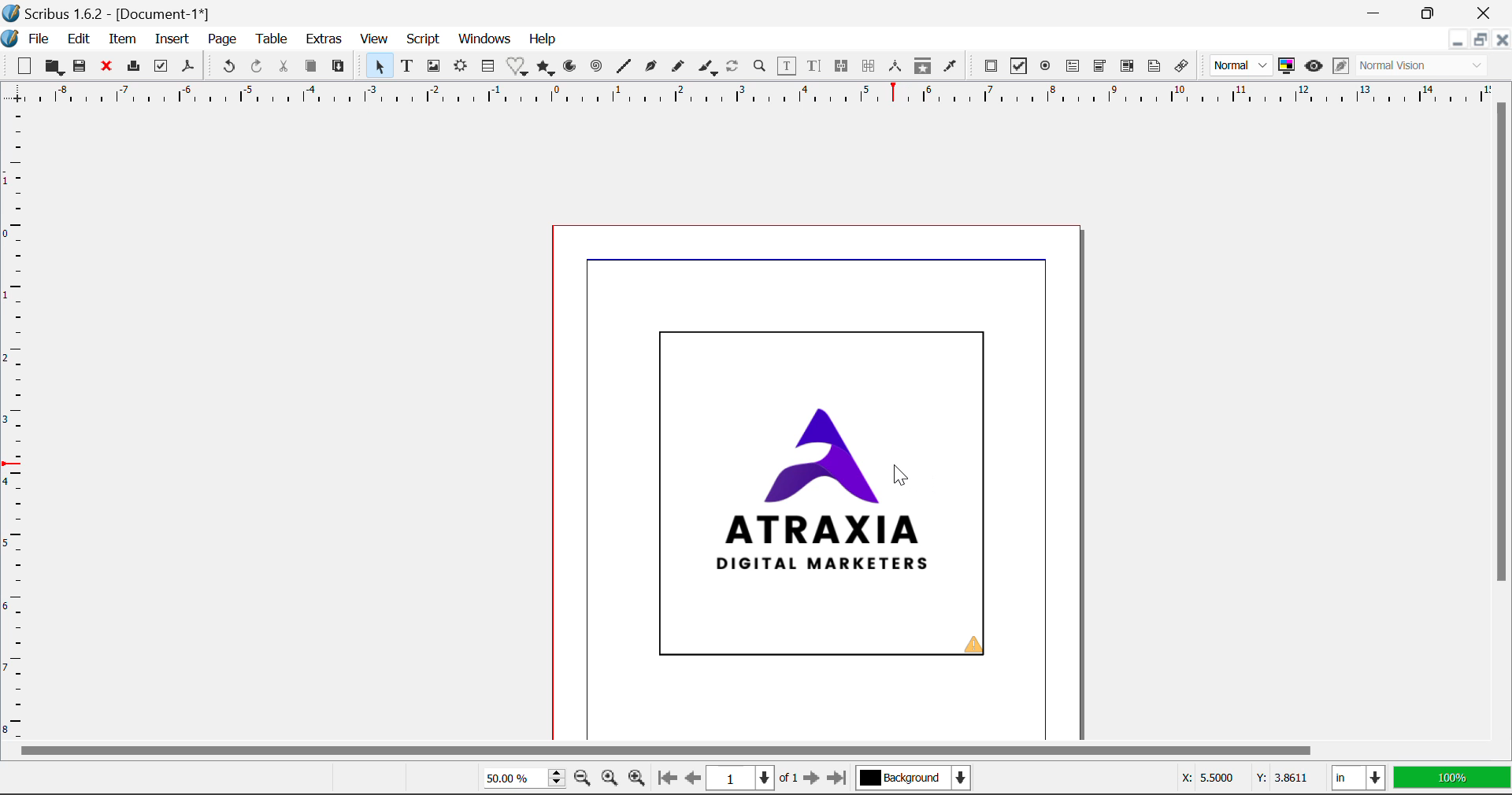 The width and height of the screenshot is (1512, 795). What do you see at coordinates (895, 65) in the screenshot?
I see `Measurements` at bounding box center [895, 65].